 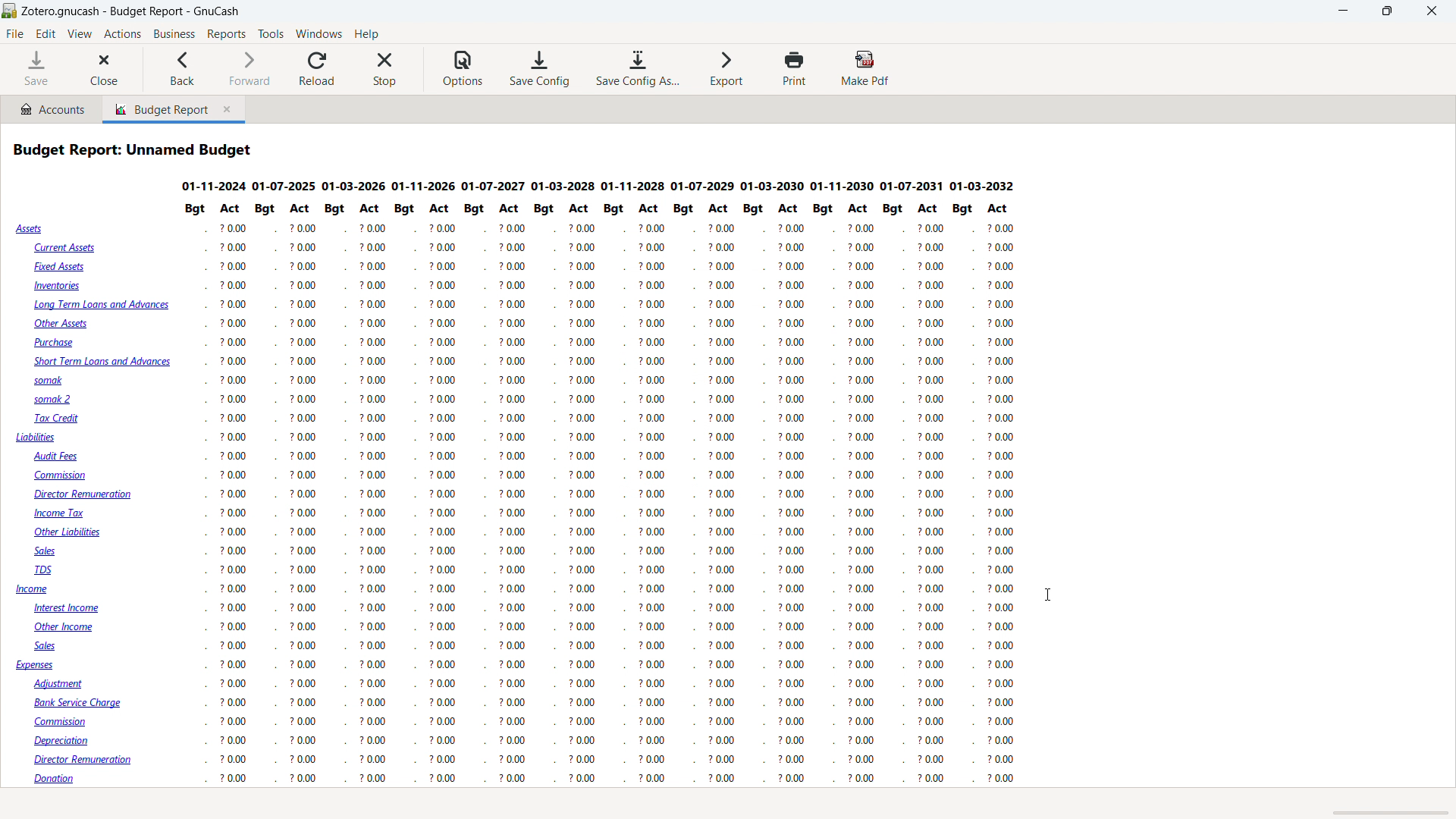 What do you see at coordinates (71, 723) in the screenshot?
I see `Commission` at bounding box center [71, 723].